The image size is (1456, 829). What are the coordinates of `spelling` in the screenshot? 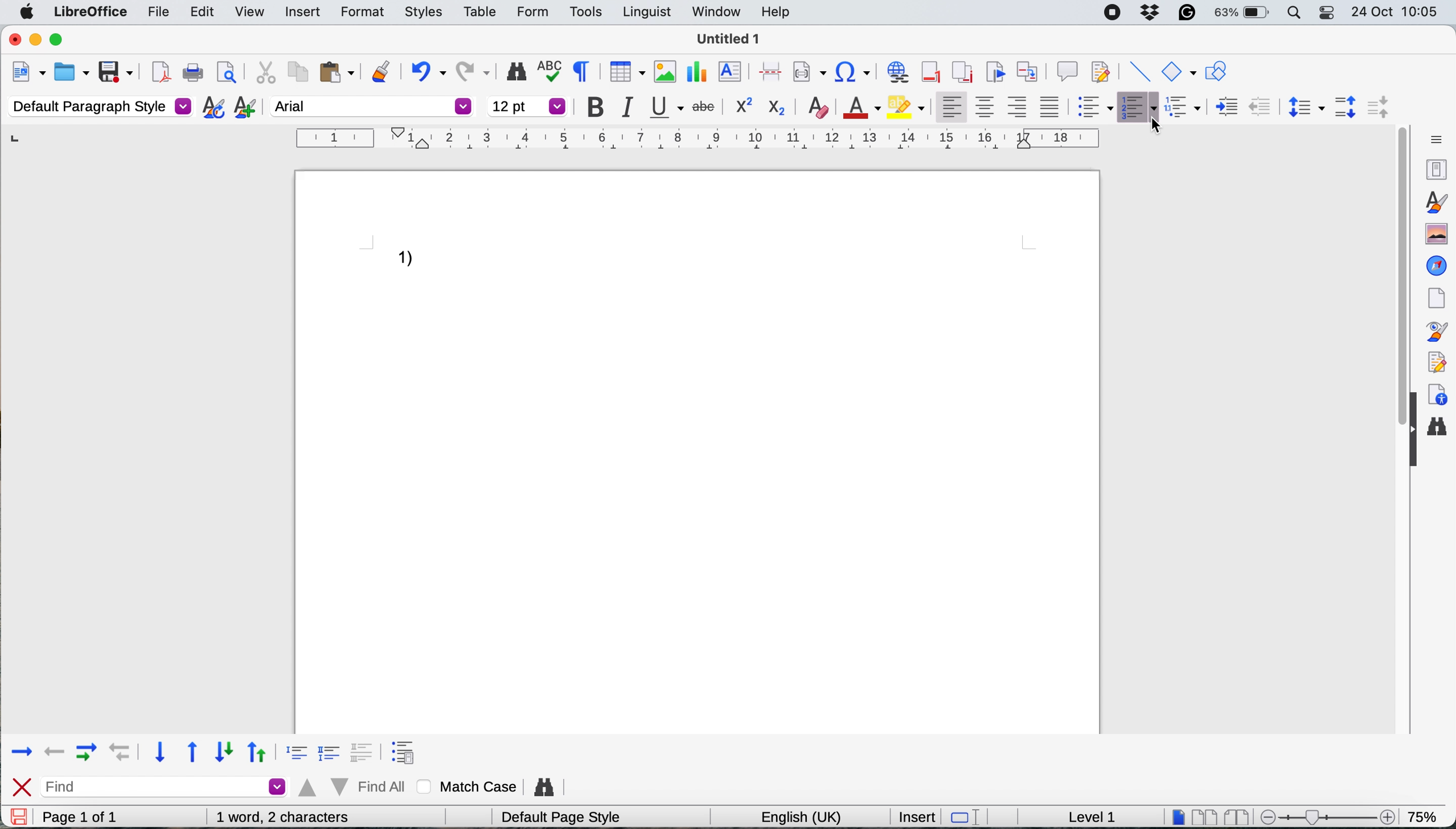 It's located at (553, 71).